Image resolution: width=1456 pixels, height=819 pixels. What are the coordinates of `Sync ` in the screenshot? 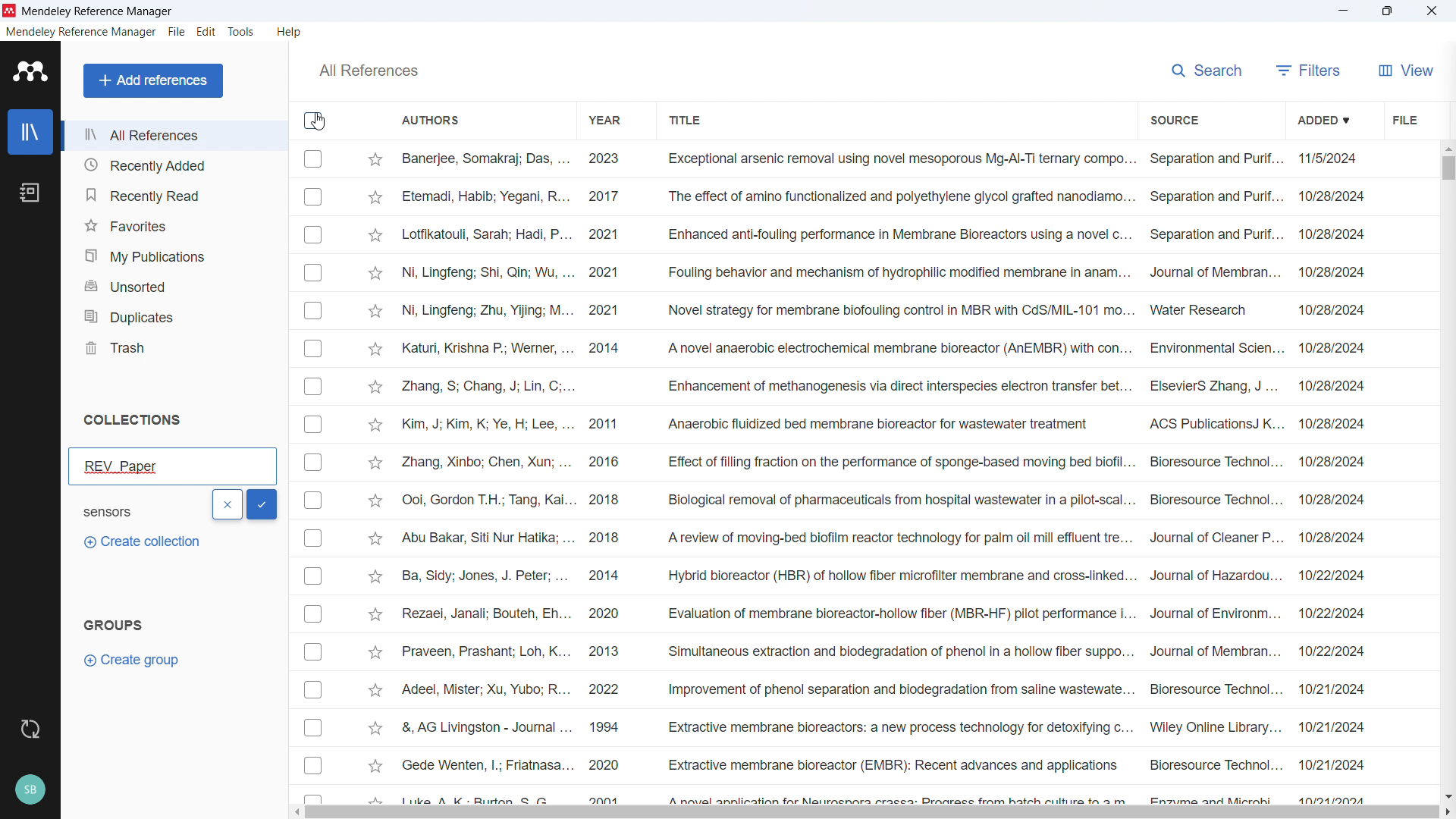 It's located at (31, 730).